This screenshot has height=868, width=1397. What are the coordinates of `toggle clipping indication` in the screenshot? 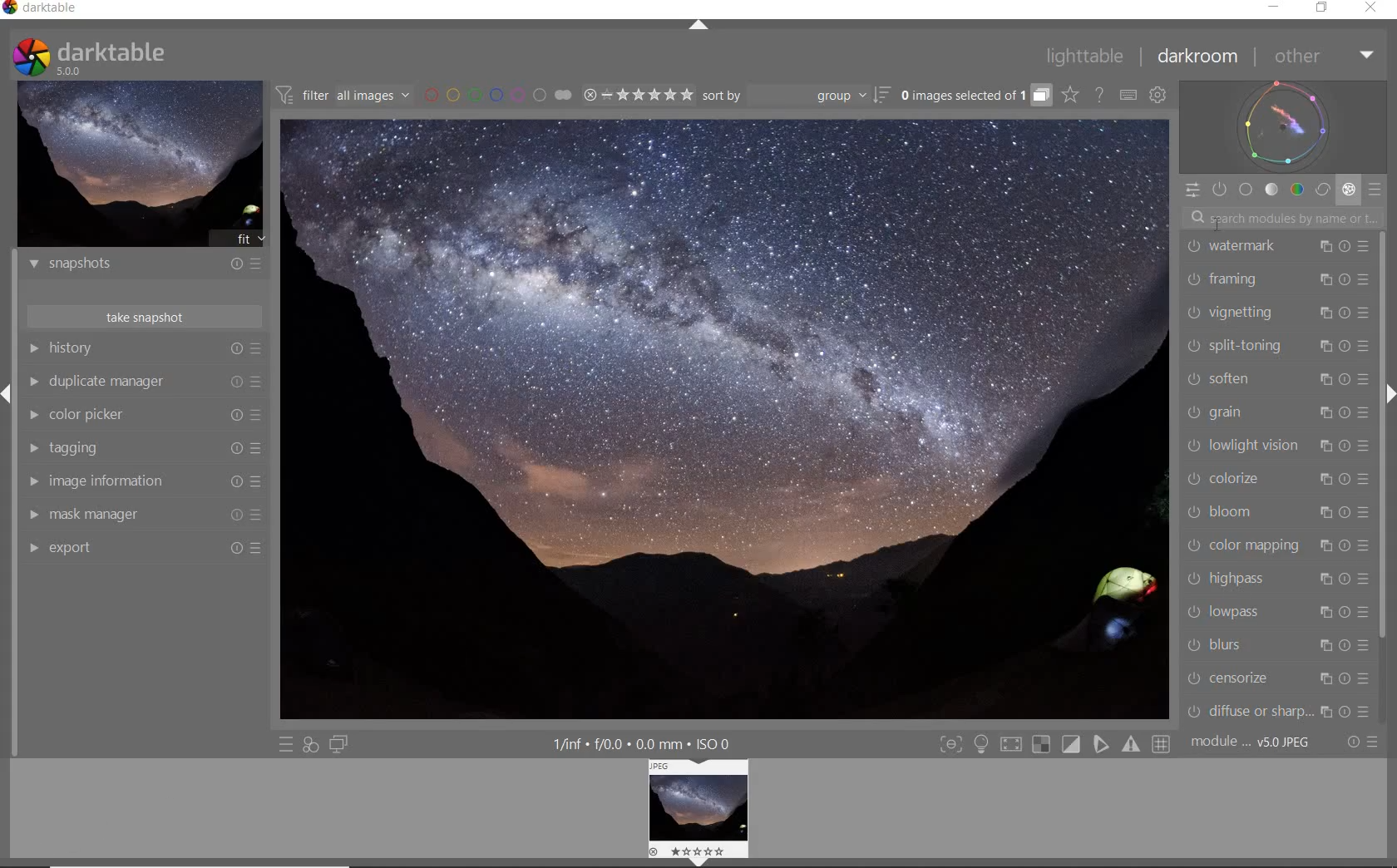 It's located at (1074, 747).